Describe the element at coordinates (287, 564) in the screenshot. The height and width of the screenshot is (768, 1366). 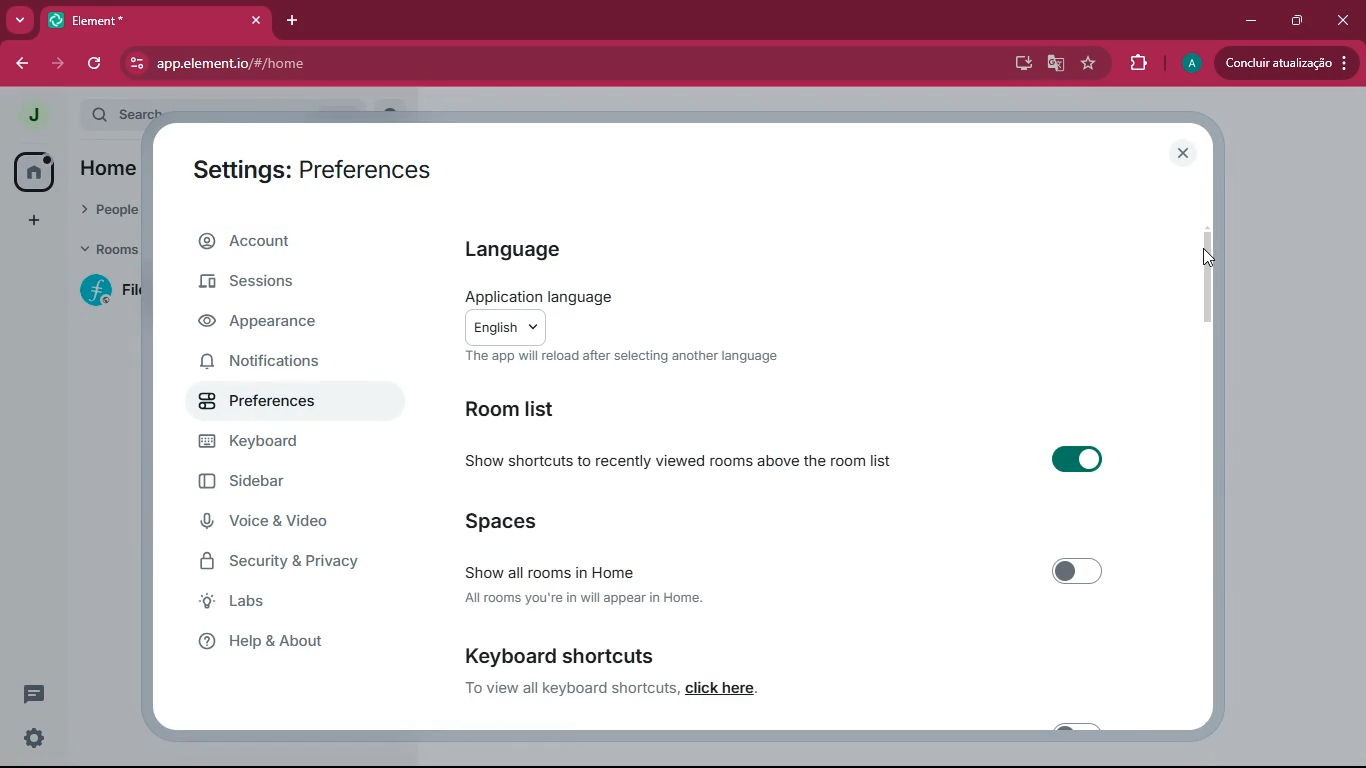
I see `security` at that location.